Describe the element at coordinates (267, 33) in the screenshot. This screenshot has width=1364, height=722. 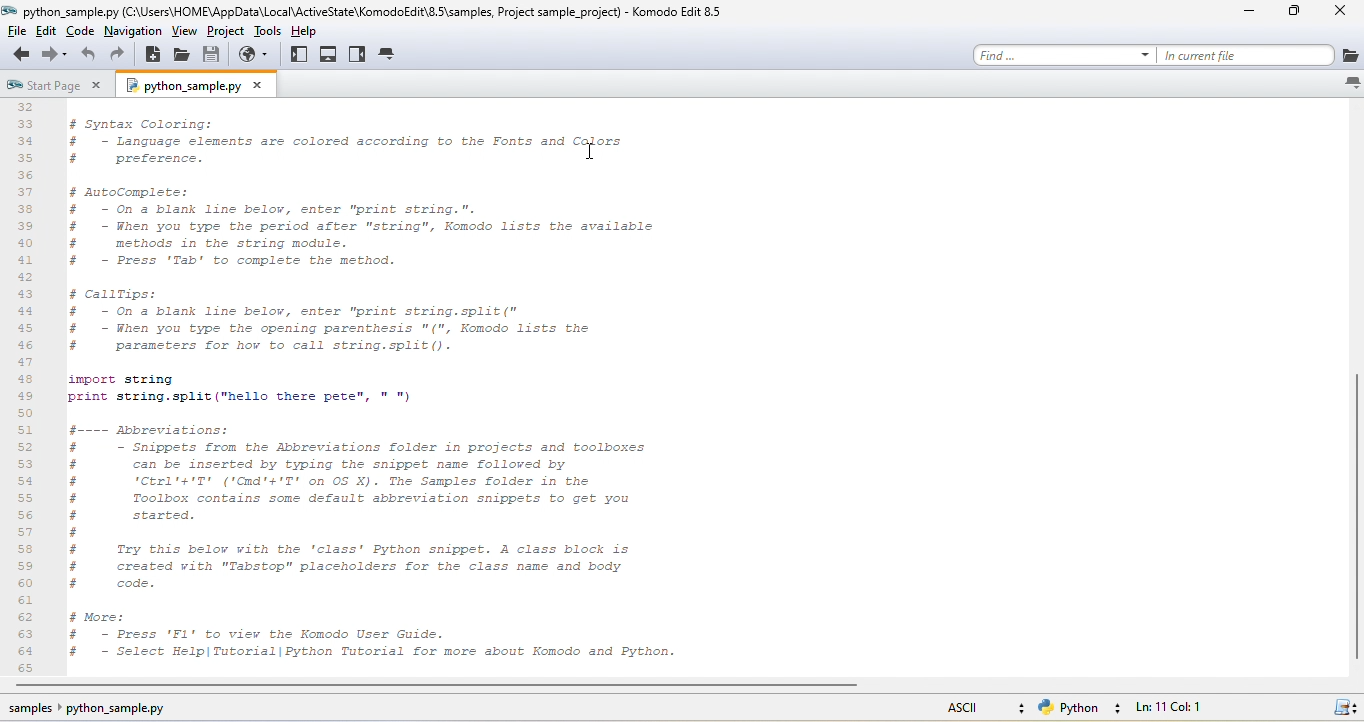
I see `tools` at that location.